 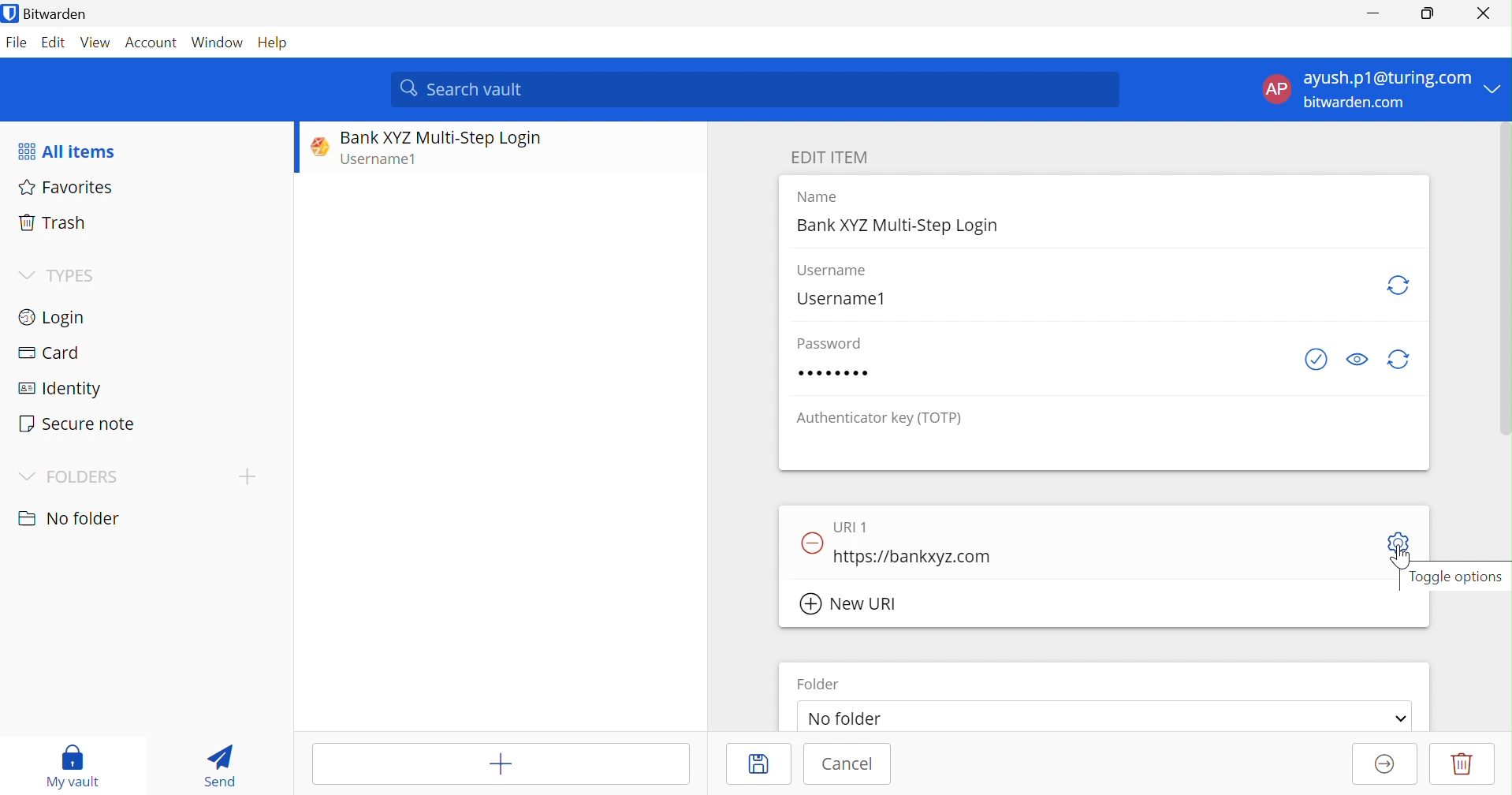 I want to click on Password, so click(x=832, y=344).